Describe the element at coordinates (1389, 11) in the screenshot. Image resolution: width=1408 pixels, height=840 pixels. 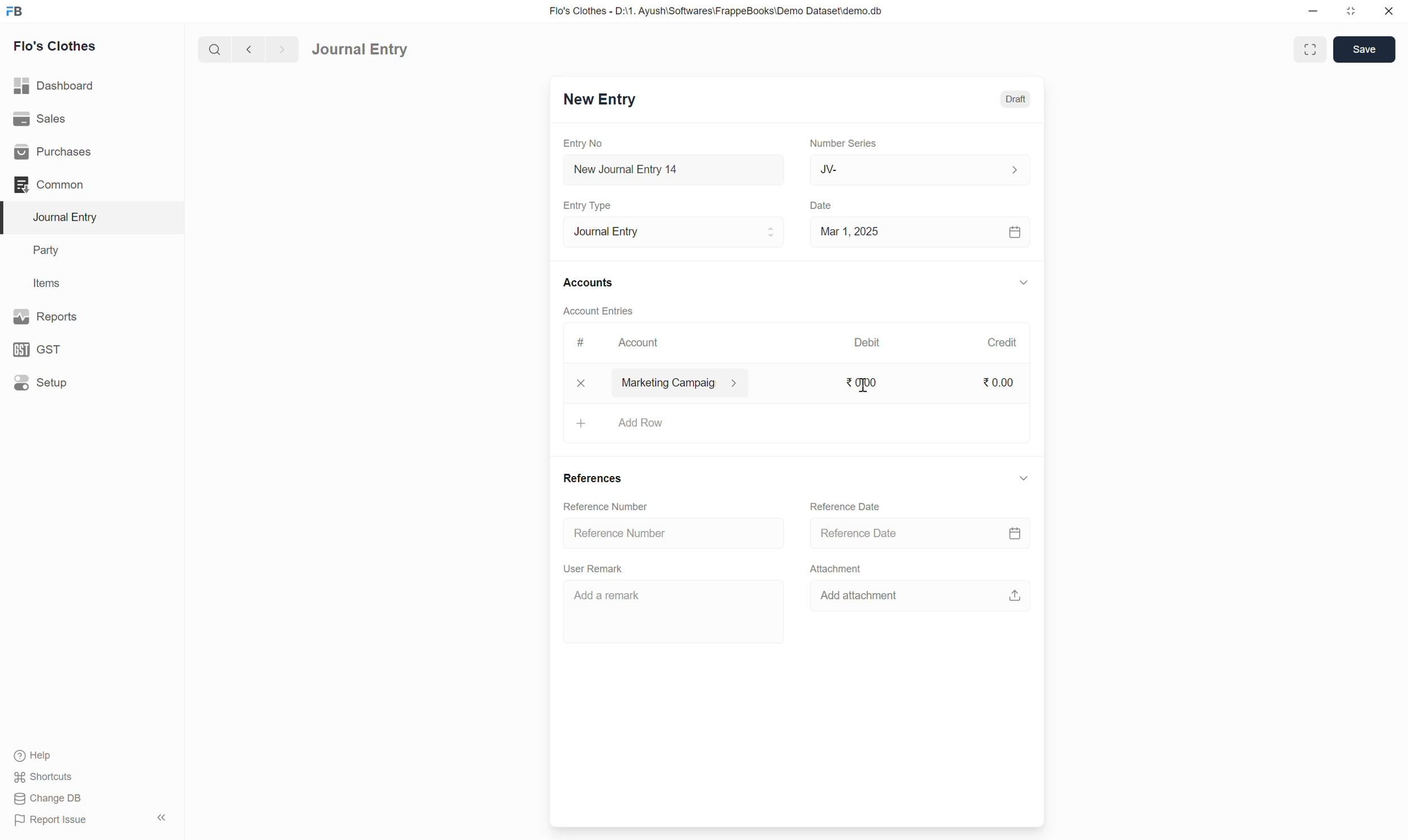
I see `close` at that location.